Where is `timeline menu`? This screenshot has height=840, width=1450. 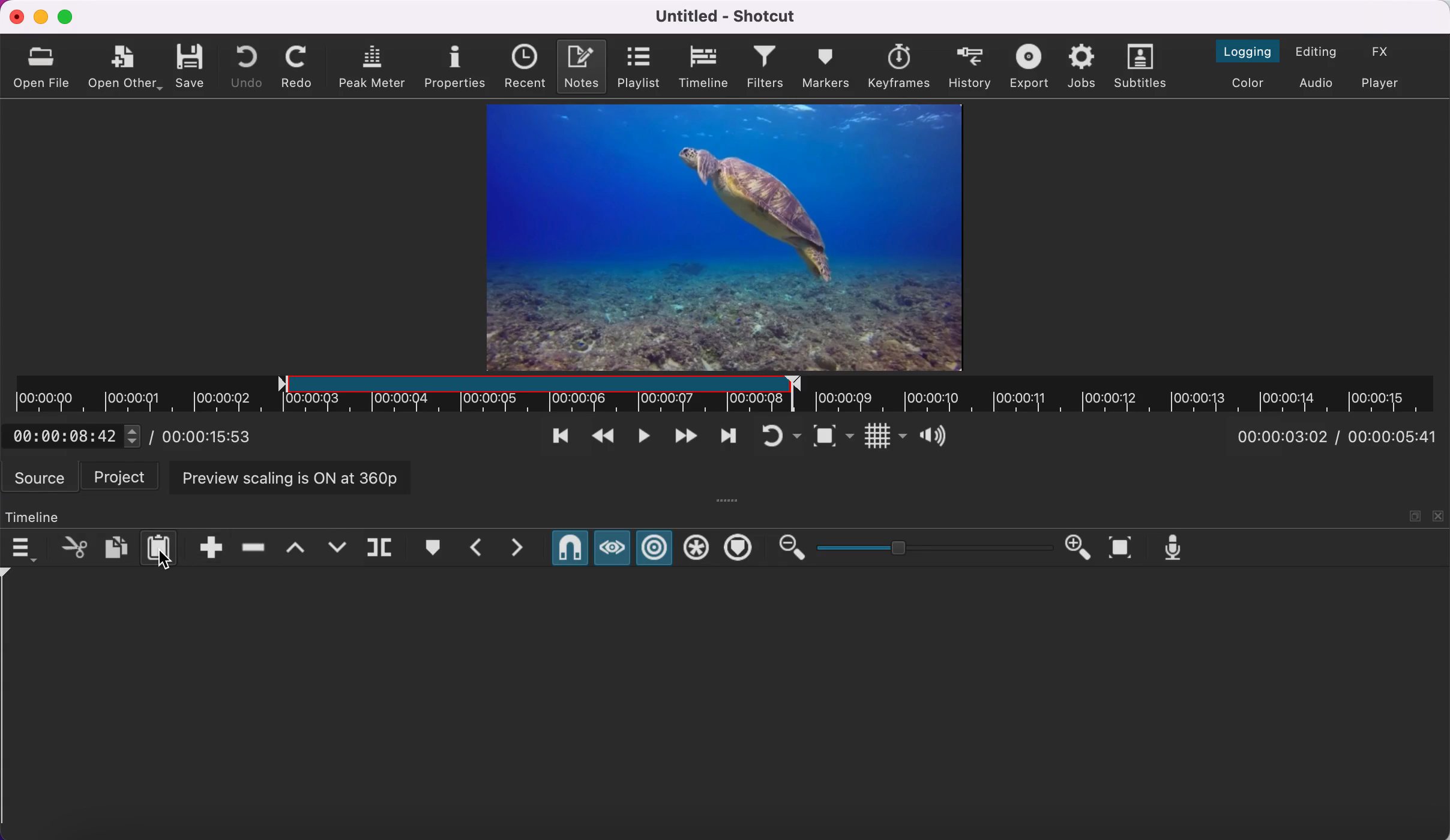
timeline menu is located at coordinates (25, 546).